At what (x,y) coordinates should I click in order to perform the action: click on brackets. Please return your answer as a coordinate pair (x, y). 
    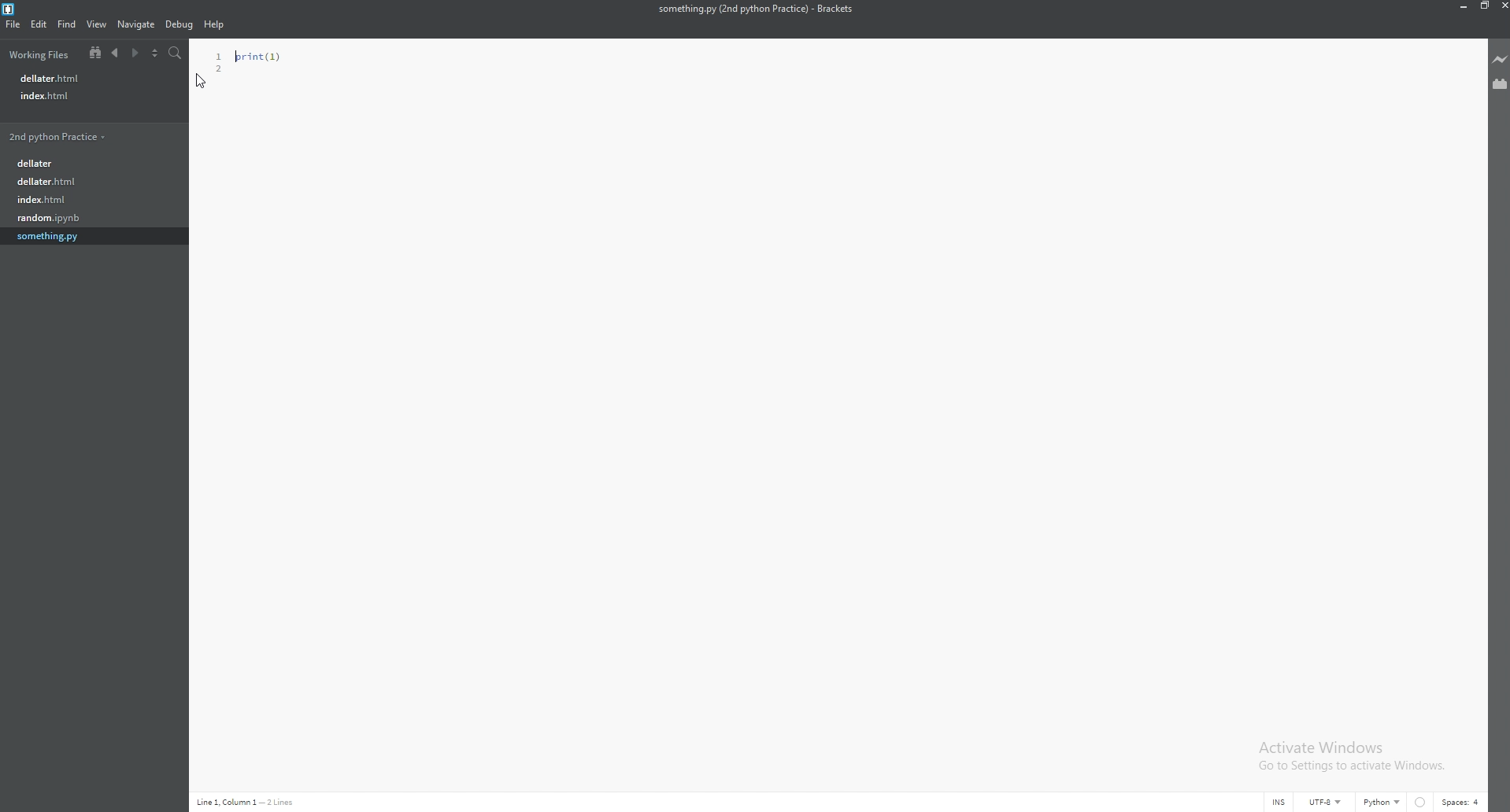
    Looking at the image, I should click on (11, 9).